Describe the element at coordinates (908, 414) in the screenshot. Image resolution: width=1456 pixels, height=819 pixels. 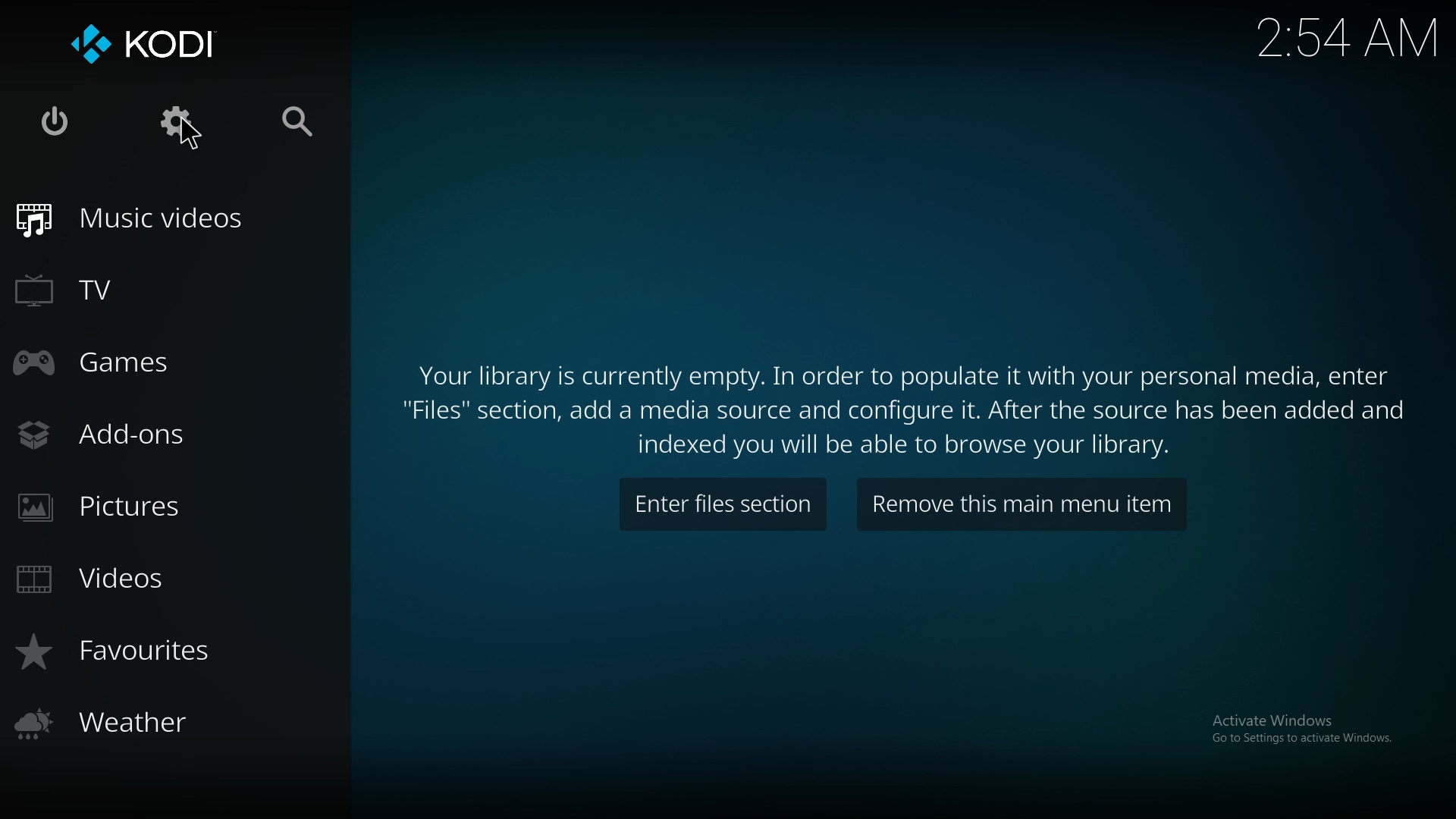
I see `Your library is currently empty. In order to populate it with your personal media, enter
"Files" section, add a media source and configure it. After the source has been added and
indexed you will be able to browse your library.` at that location.